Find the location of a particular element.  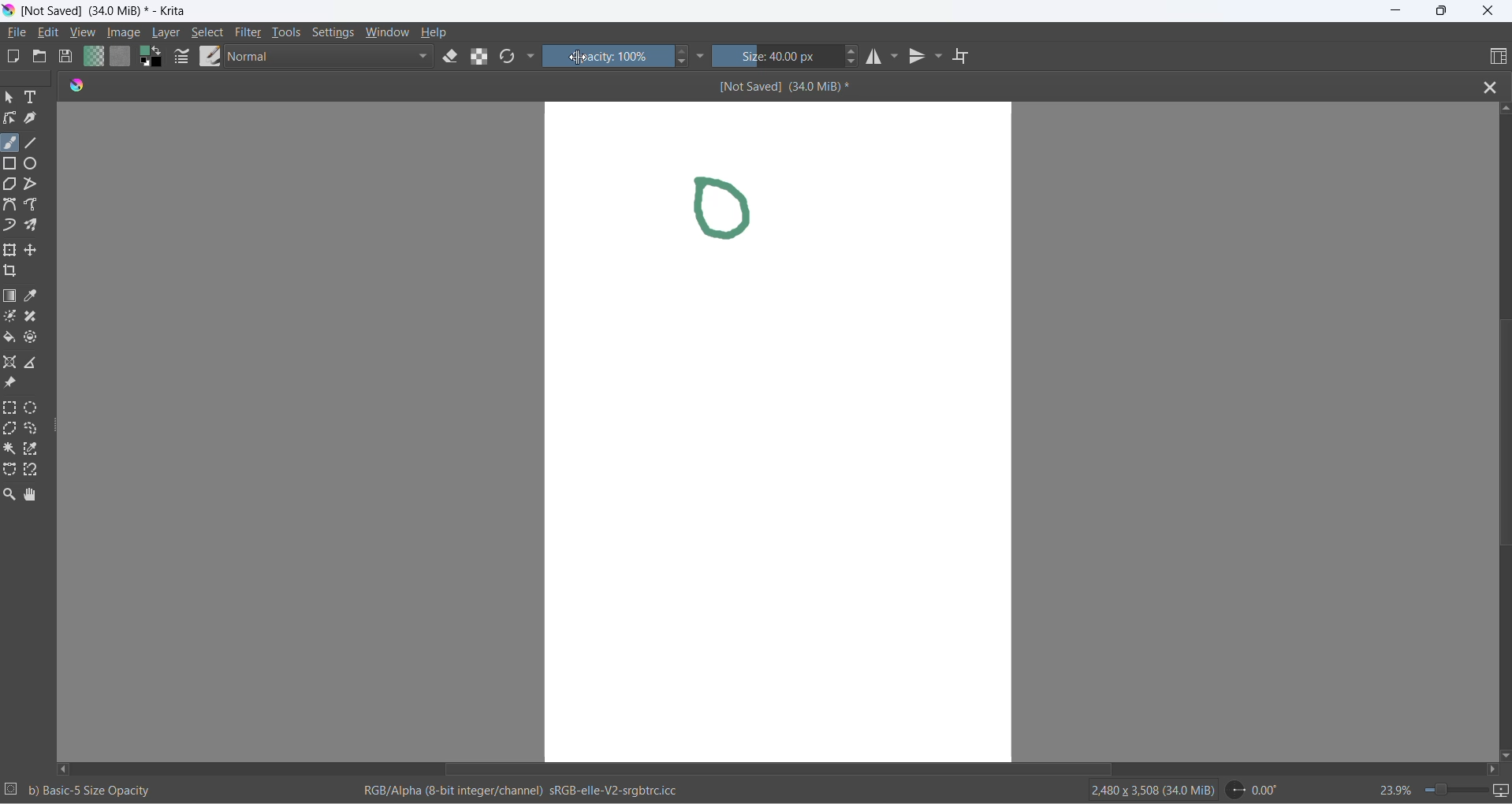

horizontal mirror tool is located at coordinates (875, 57).